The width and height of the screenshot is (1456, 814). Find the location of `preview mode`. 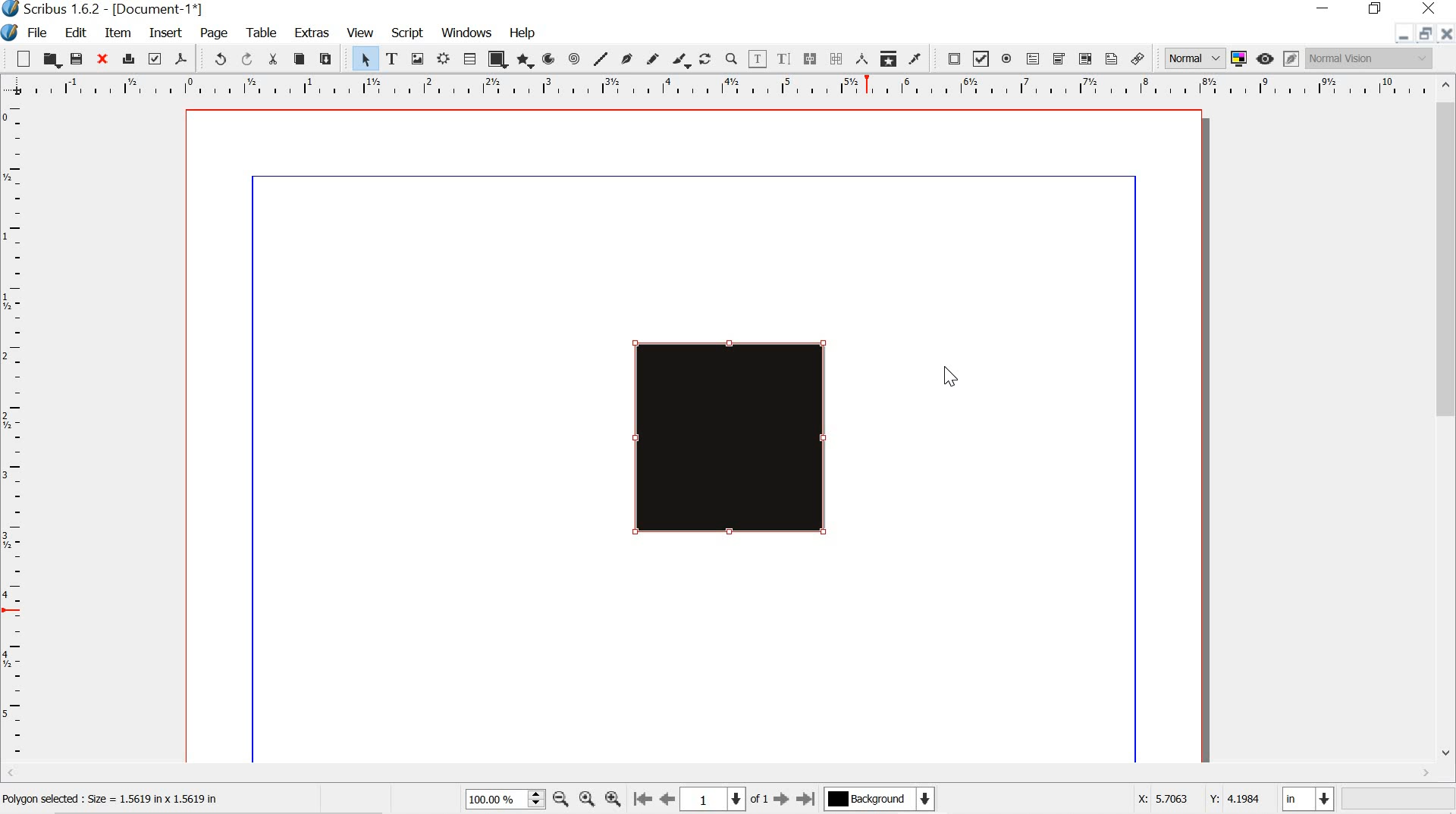

preview mode is located at coordinates (1266, 59).